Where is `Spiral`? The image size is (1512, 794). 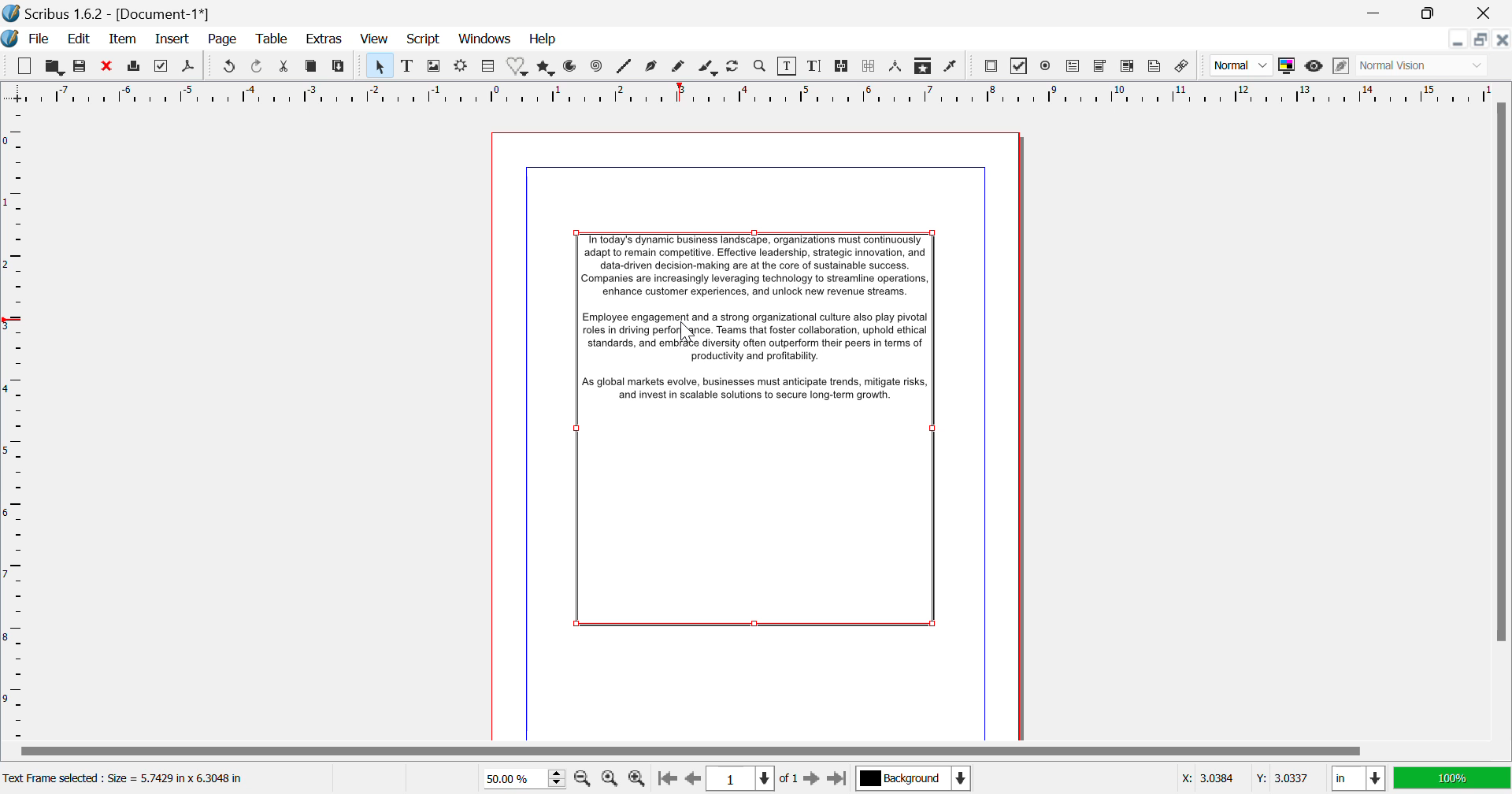 Spiral is located at coordinates (624, 66).